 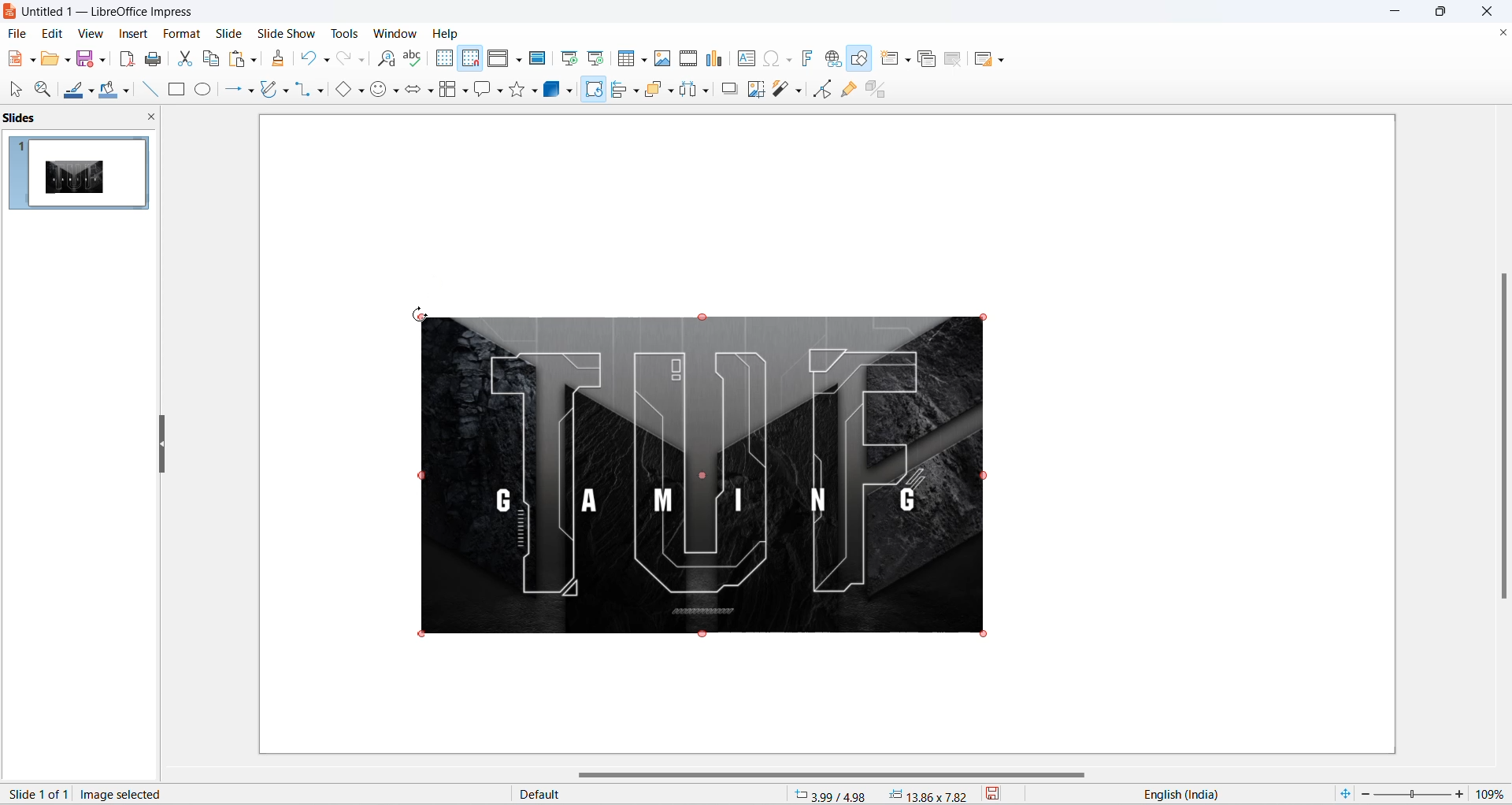 I want to click on distribute objects, so click(x=689, y=91).